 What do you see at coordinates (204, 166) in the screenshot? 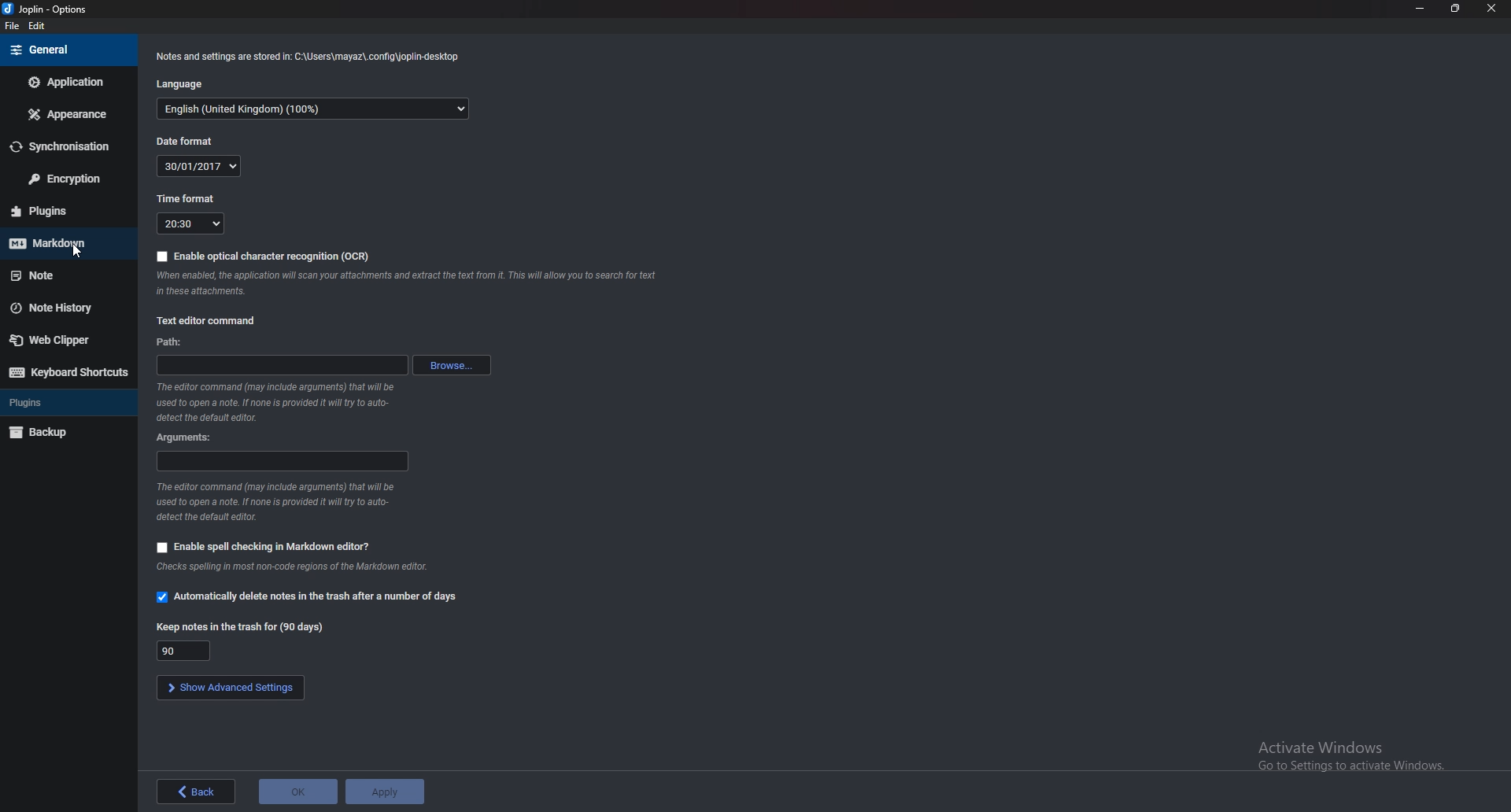
I see `Date format` at bounding box center [204, 166].